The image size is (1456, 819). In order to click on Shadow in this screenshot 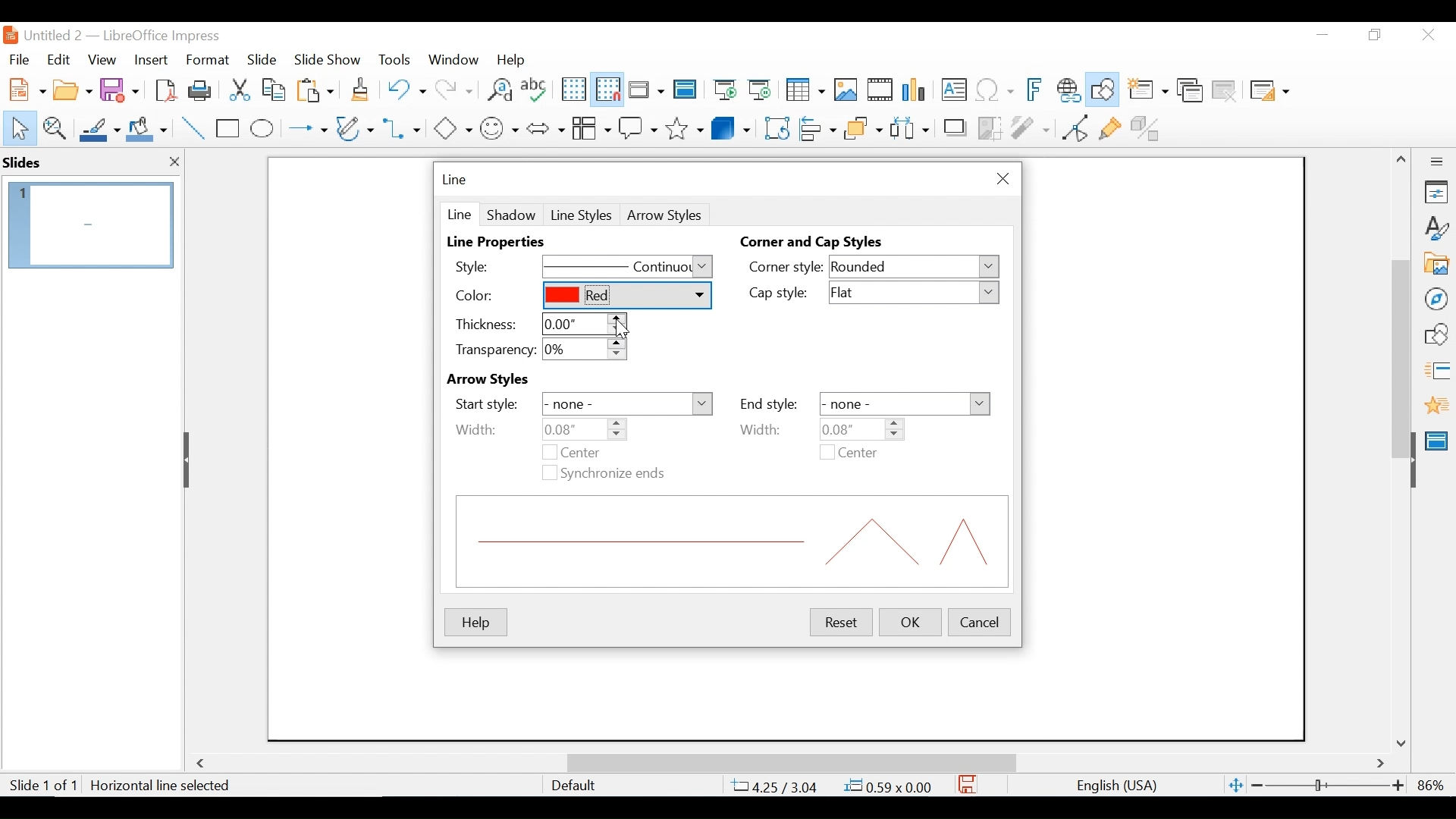, I will do `click(511, 214)`.